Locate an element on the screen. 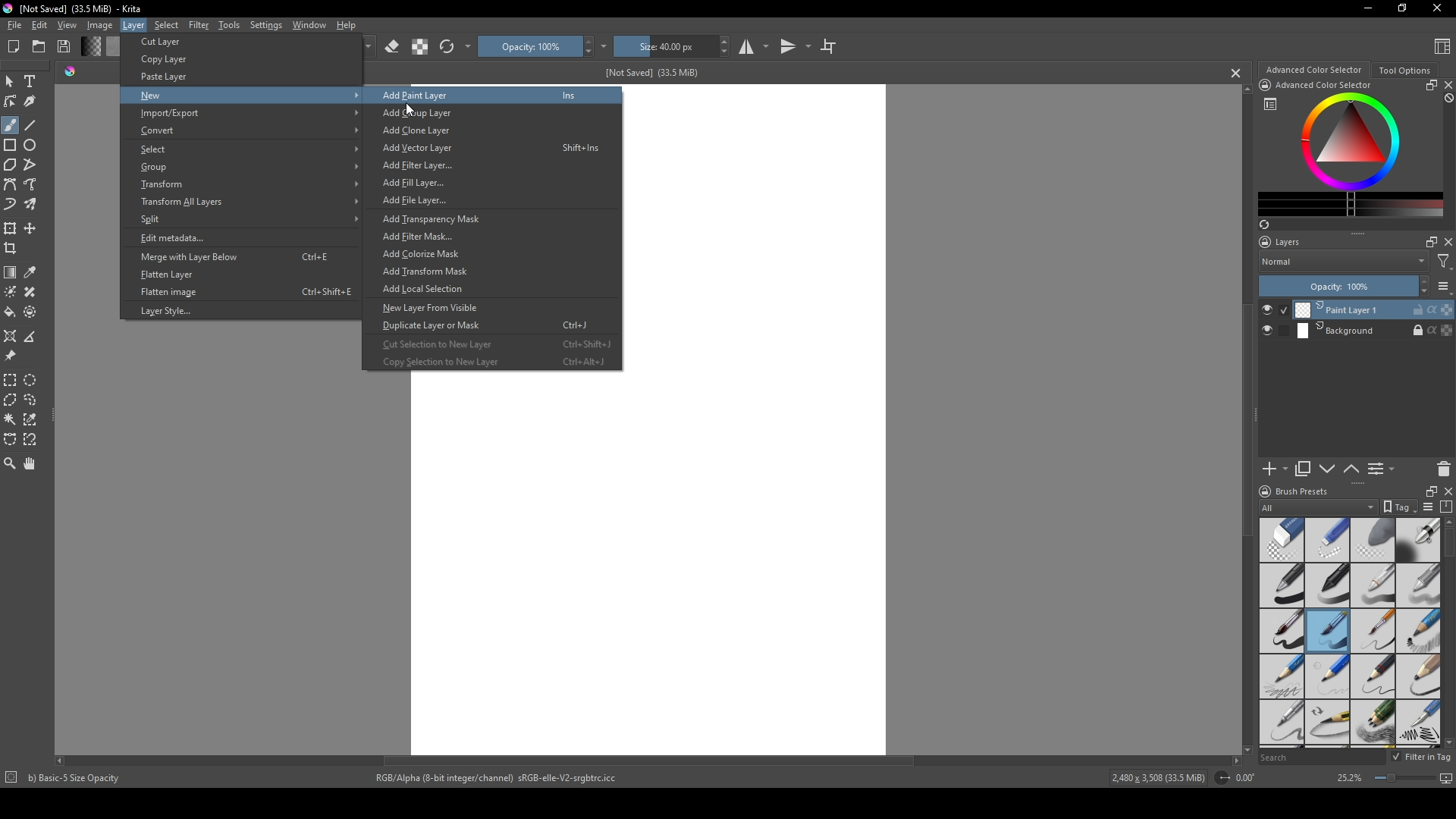 The height and width of the screenshot is (819, 1456). rectangular is located at coordinates (11, 379).